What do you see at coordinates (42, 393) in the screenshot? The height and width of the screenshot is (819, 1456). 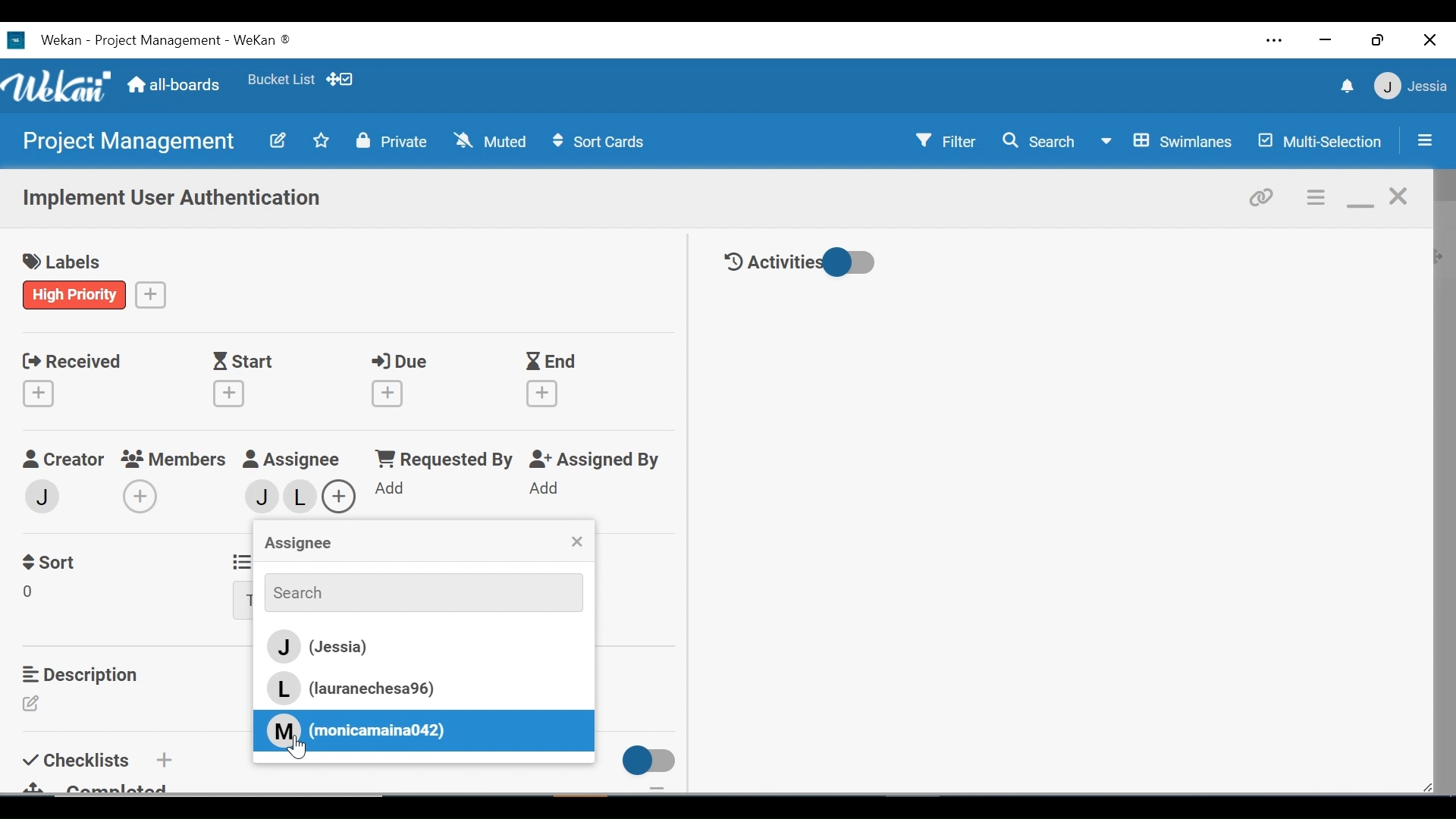 I see `Create Received Date` at bounding box center [42, 393].